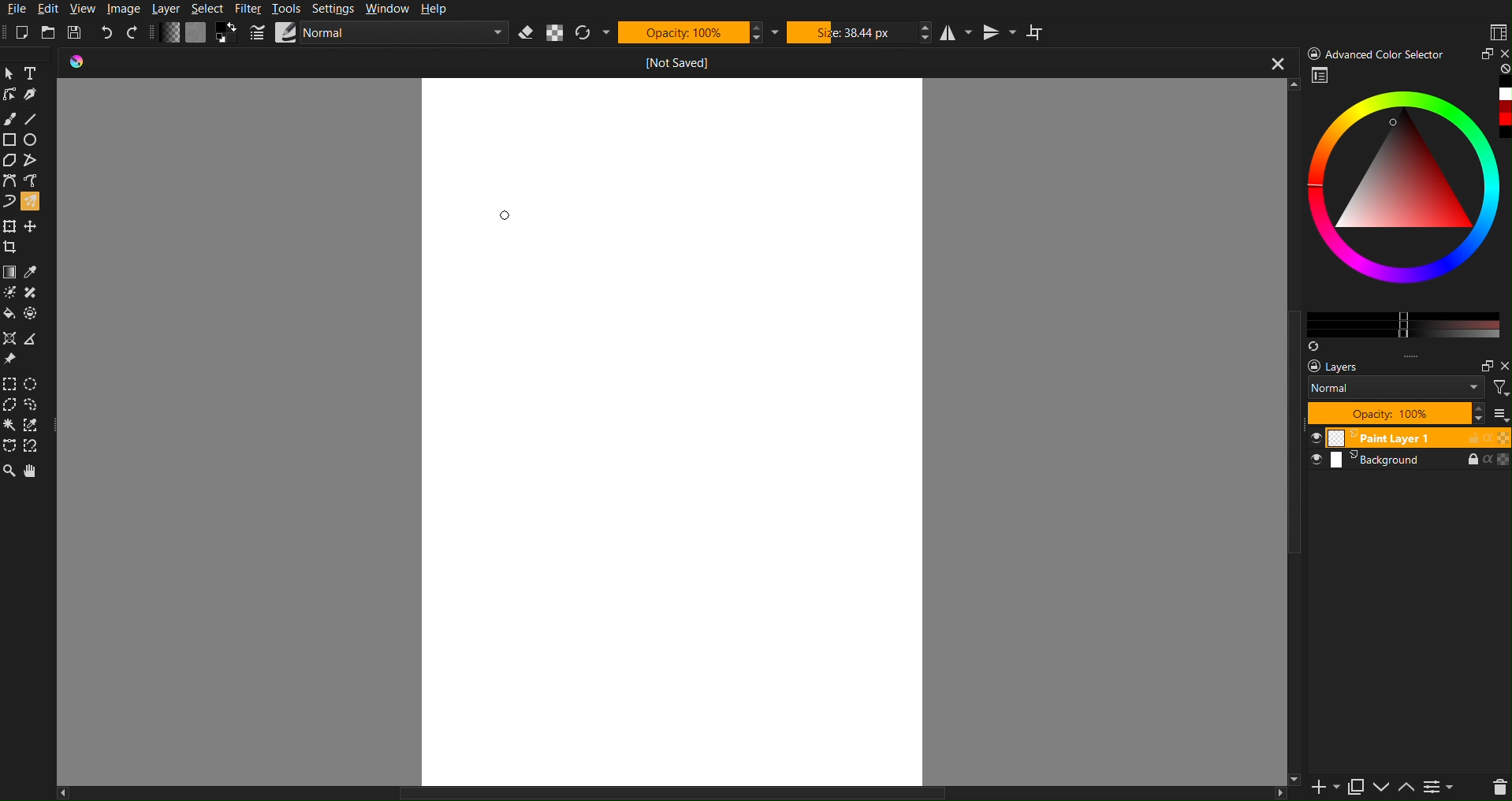 The height and width of the screenshot is (801, 1512). Describe the element at coordinates (1441, 790) in the screenshot. I see `contrast` at that location.